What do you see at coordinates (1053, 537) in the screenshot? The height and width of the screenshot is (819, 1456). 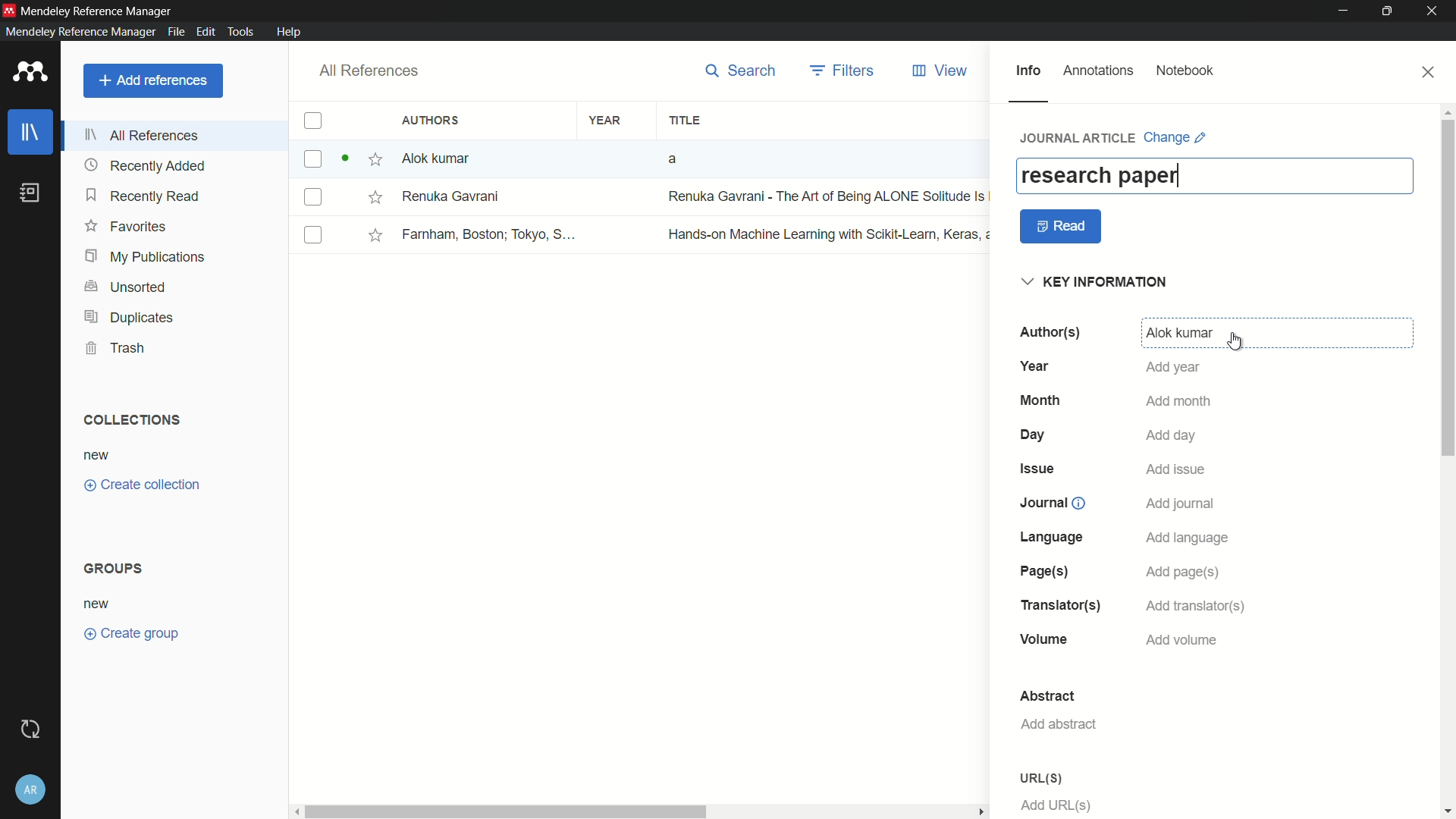 I see `language` at bounding box center [1053, 537].